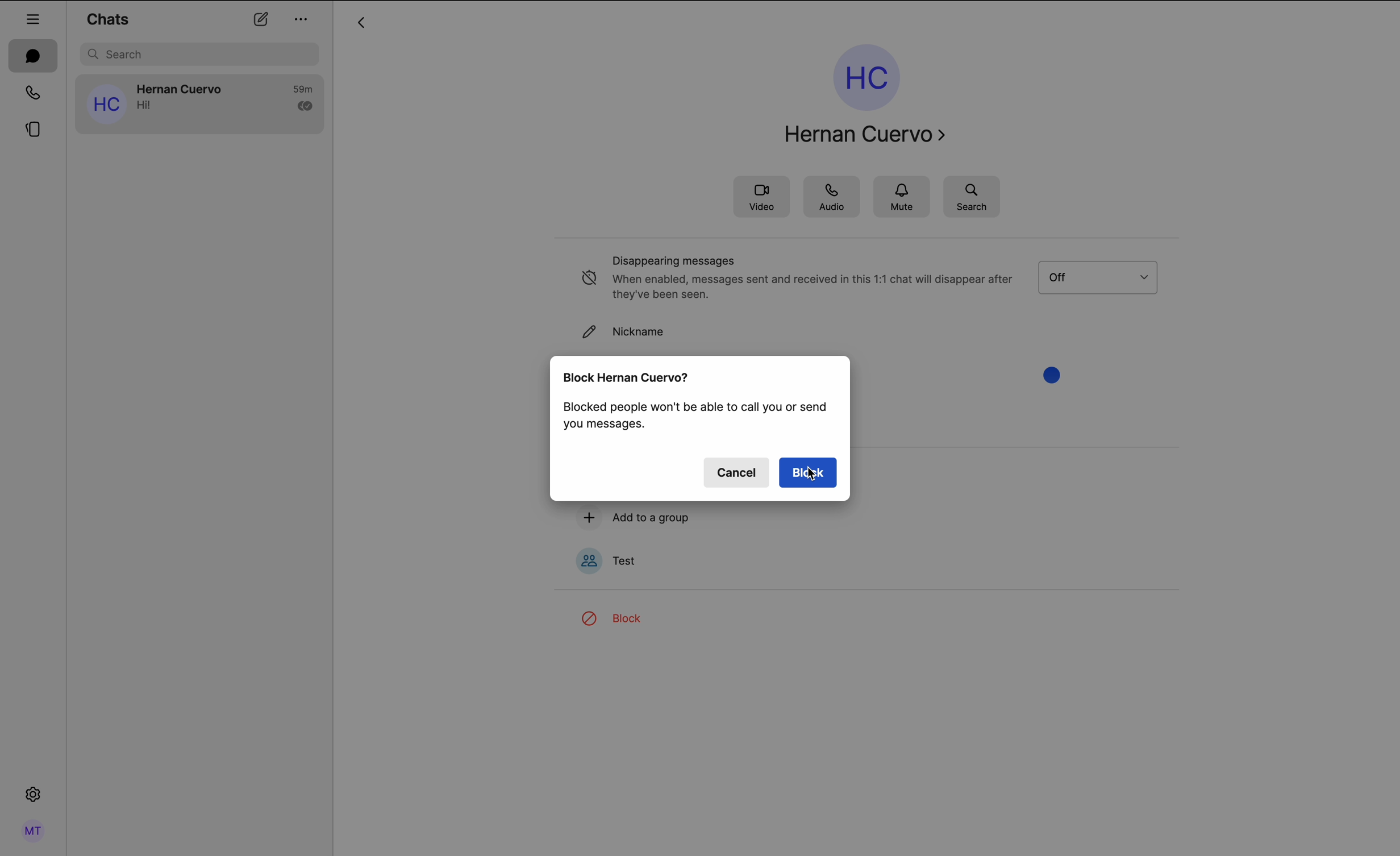 This screenshot has width=1400, height=856. What do you see at coordinates (198, 101) in the screenshot?
I see `Hernan Cuervo's chat` at bounding box center [198, 101].